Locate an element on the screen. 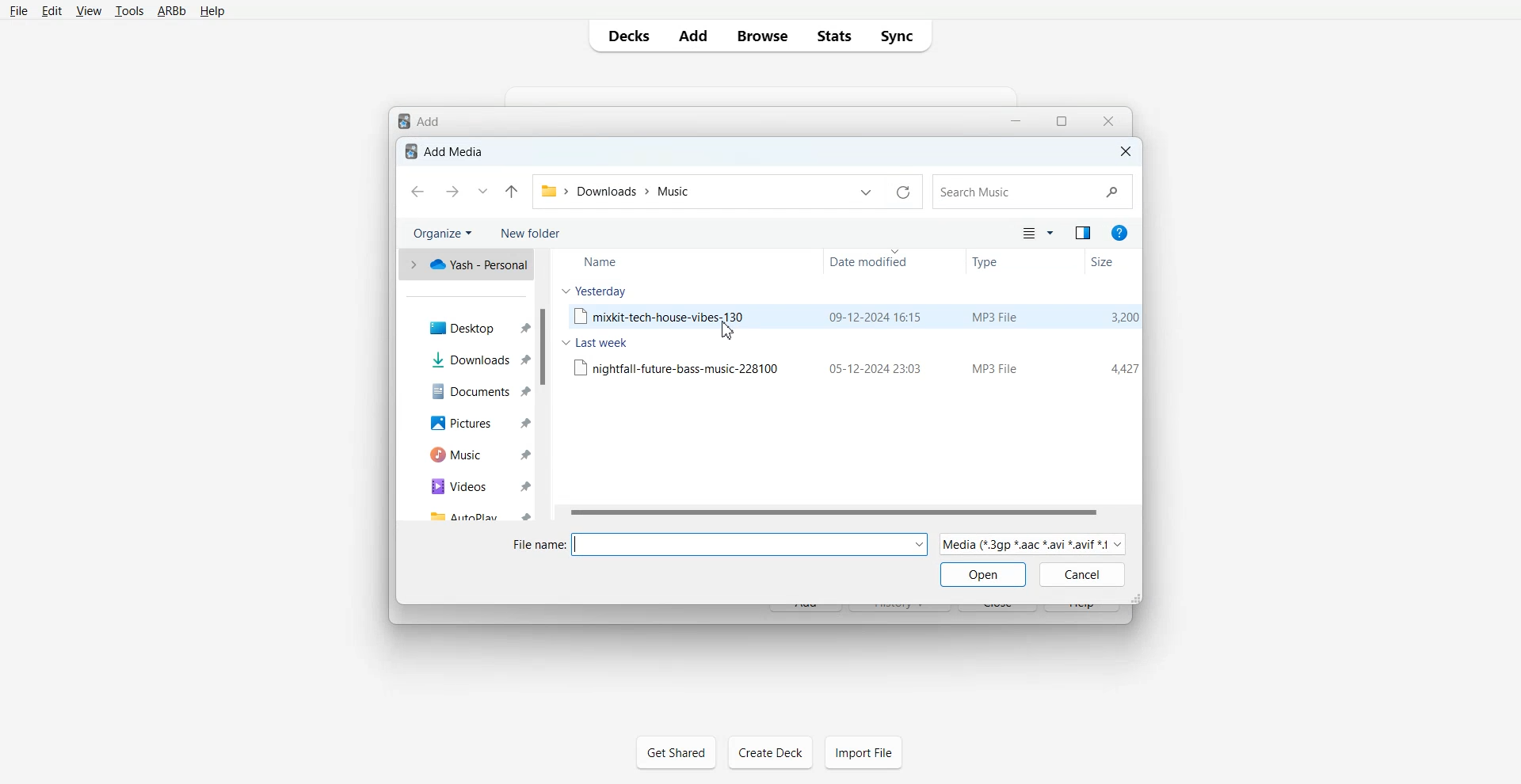  cursor is located at coordinates (729, 330).